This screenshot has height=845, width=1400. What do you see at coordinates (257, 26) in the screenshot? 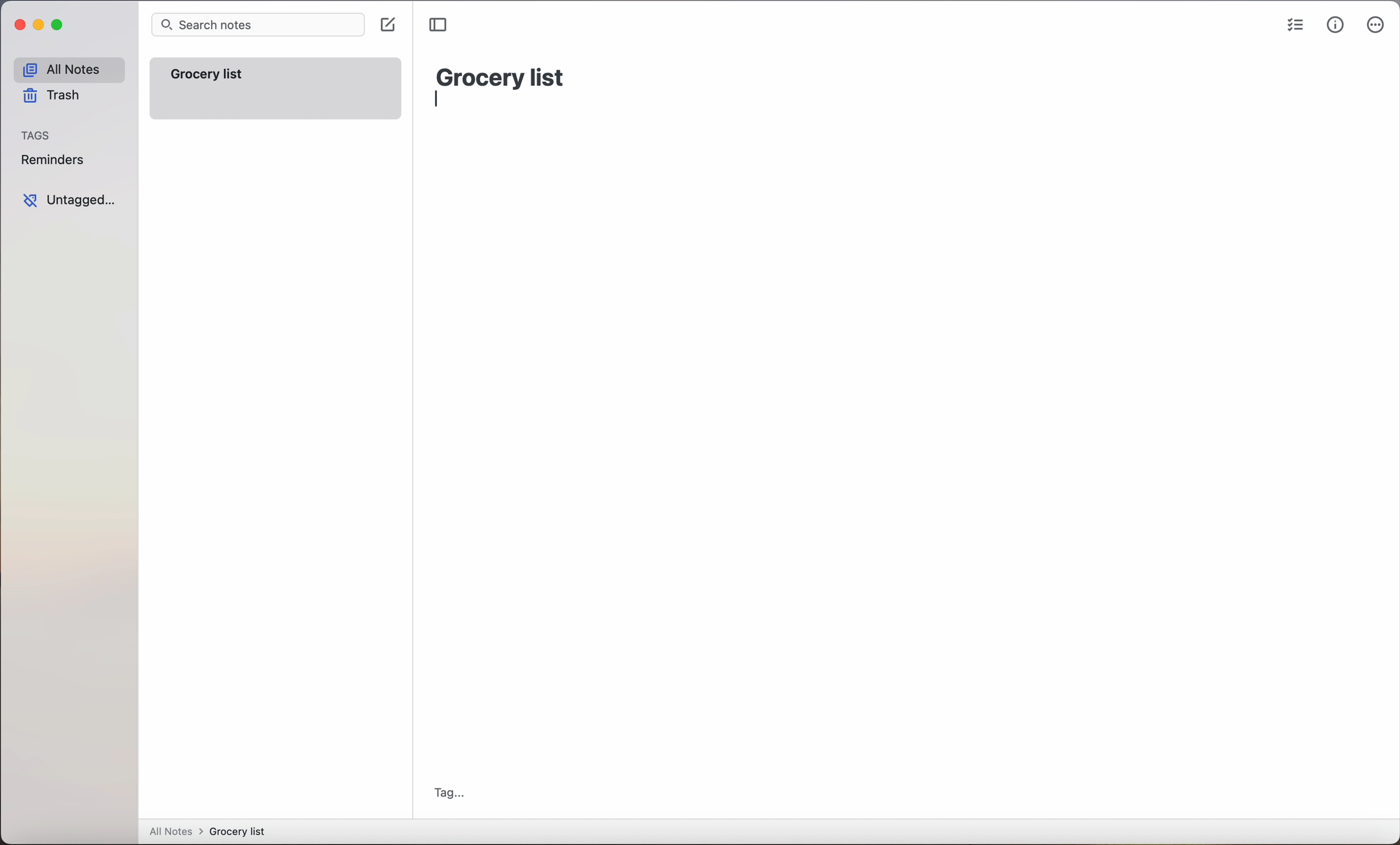
I see `search bar` at bounding box center [257, 26].